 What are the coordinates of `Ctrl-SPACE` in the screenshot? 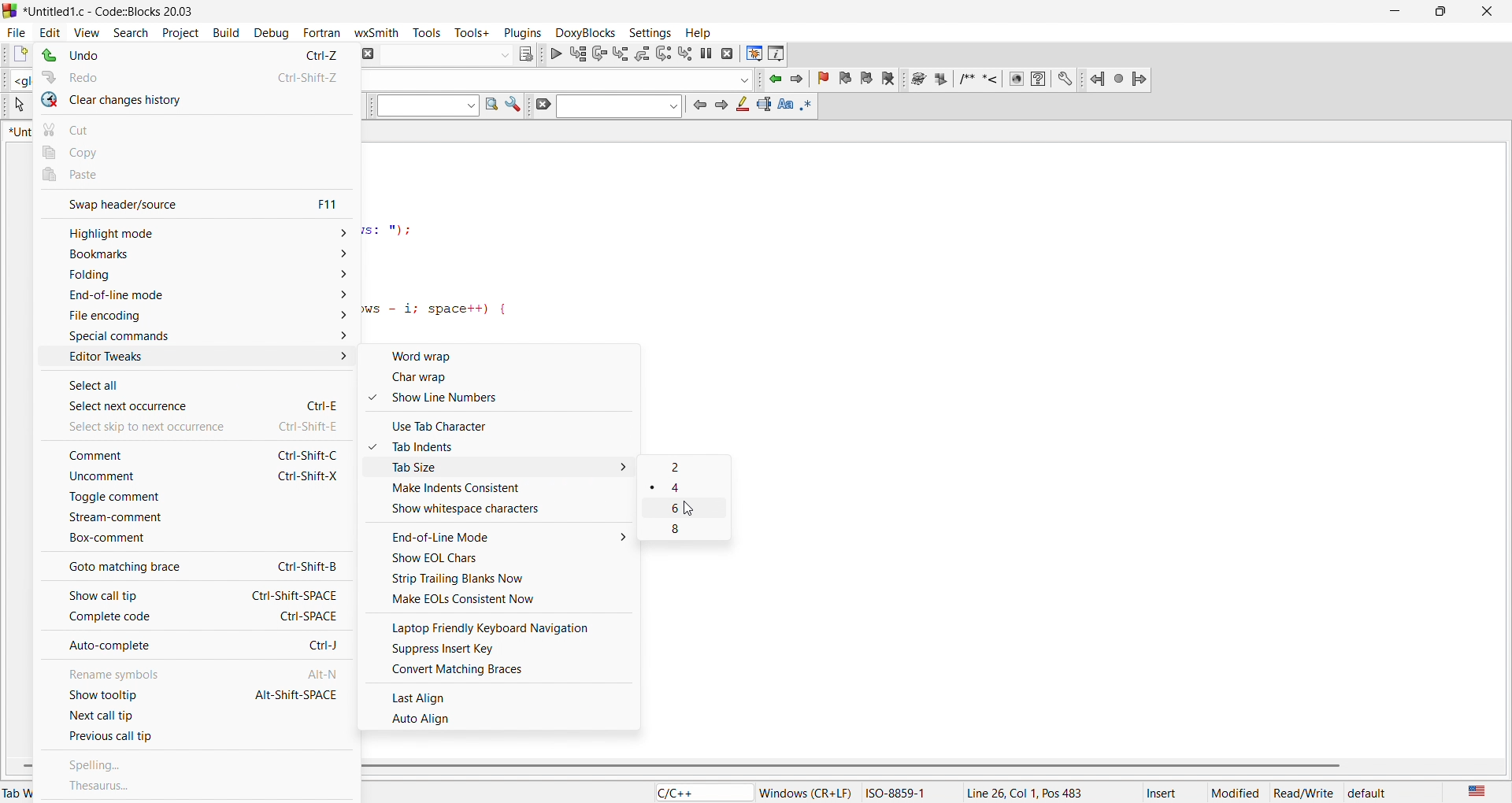 It's located at (313, 616).